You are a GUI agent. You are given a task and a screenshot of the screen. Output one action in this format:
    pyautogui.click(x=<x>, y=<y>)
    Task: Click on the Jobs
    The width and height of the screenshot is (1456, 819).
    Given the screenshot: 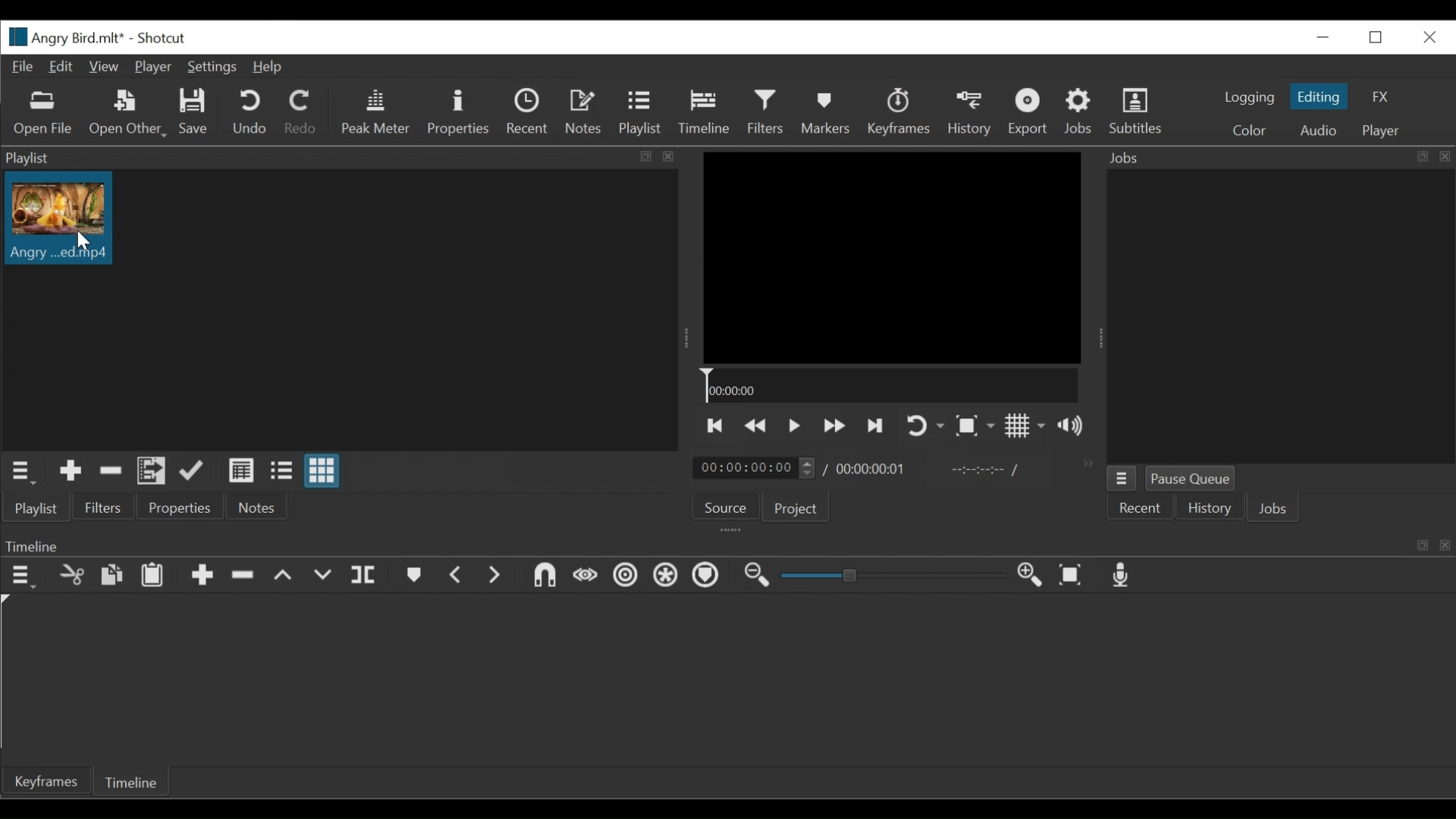 What is the action you would take?
    pyautogui.click(x=1276, y=156)
    